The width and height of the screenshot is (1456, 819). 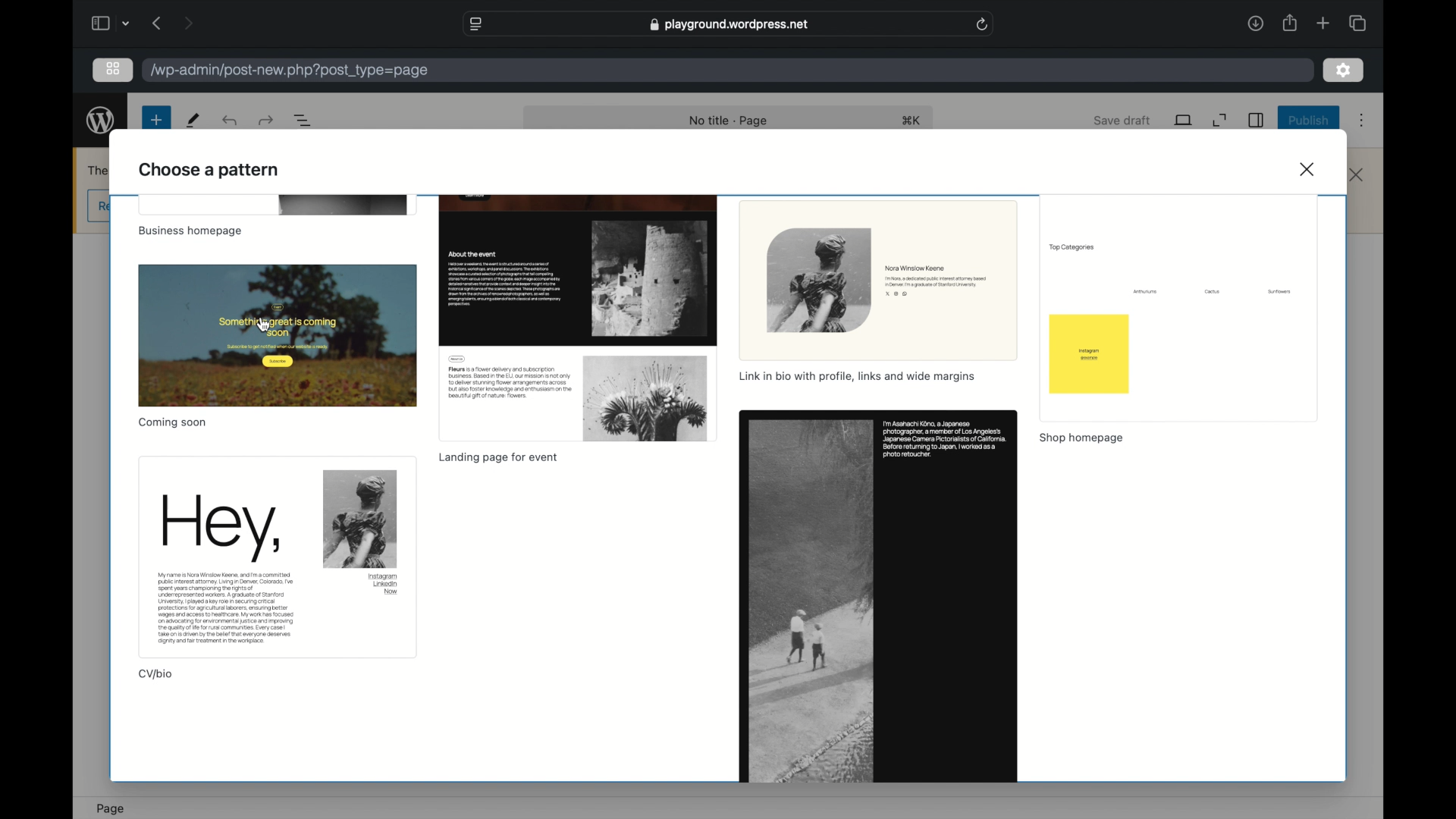 What do you see at coordinates (158, 24) in the screenshot?
I see `previous page` at bounding box center [158, 24].